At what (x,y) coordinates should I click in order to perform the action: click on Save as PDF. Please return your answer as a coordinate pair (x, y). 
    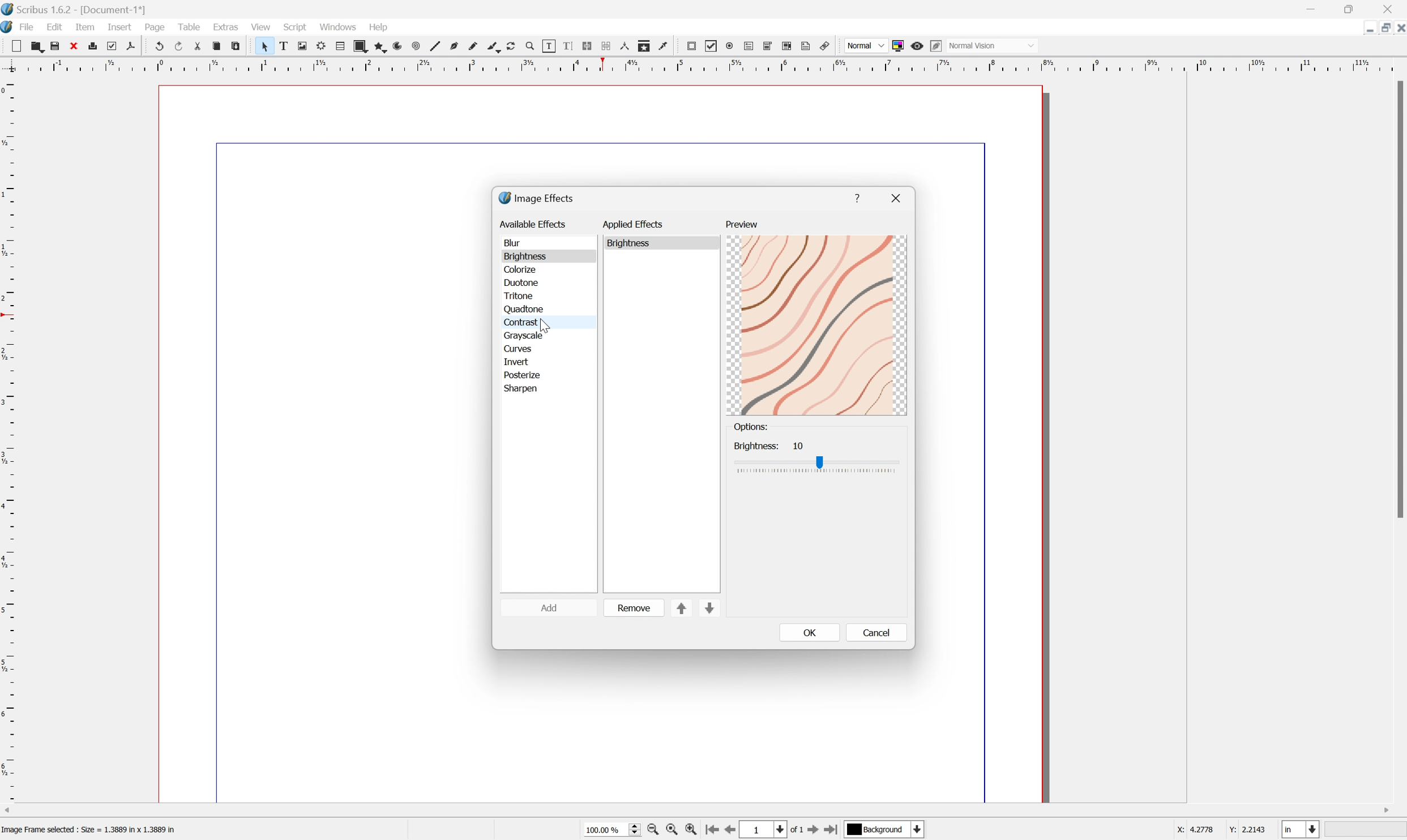
    Looking at the image, I should click on (131, 45).